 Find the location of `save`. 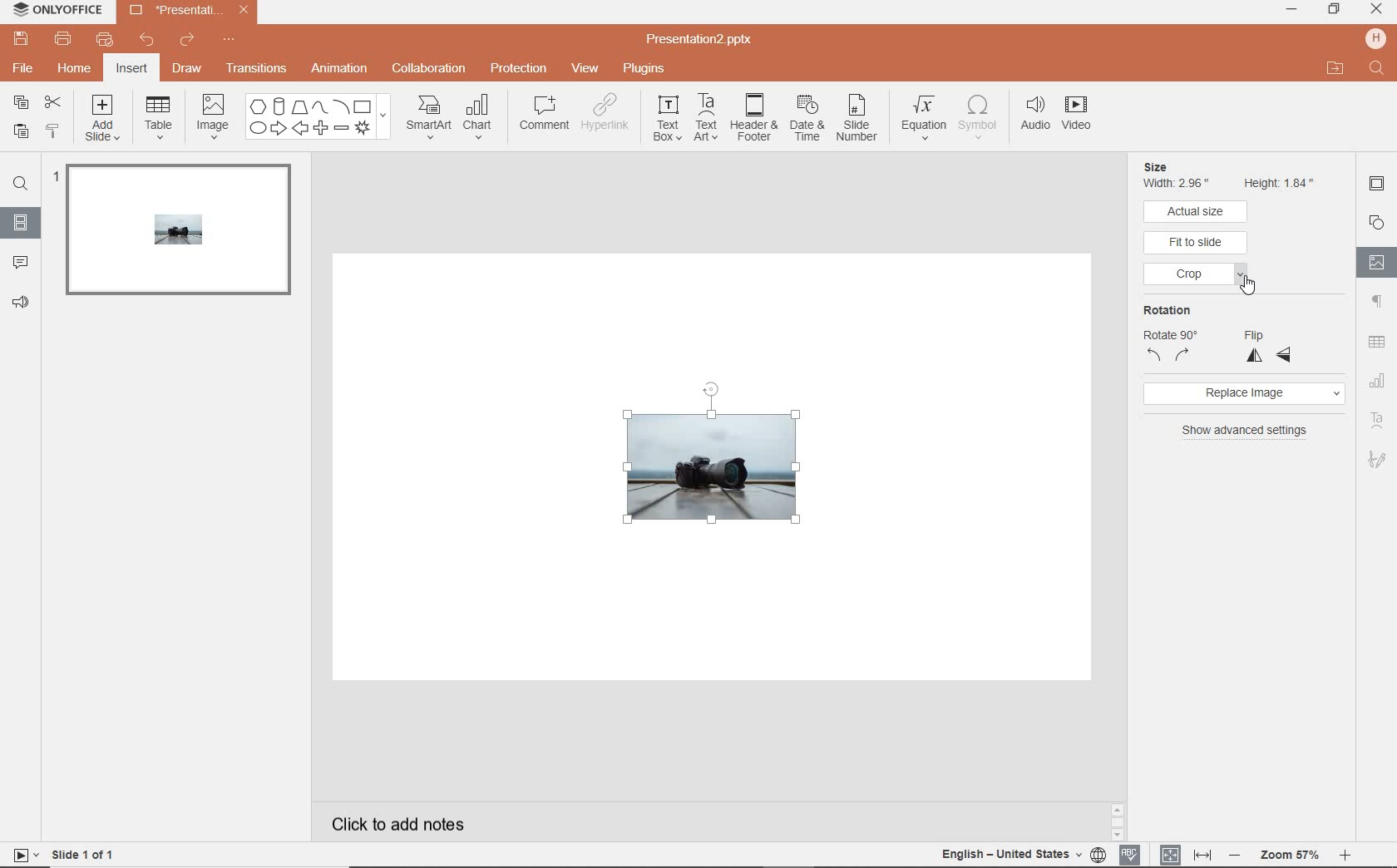

save is located at coordinates (22, 39).